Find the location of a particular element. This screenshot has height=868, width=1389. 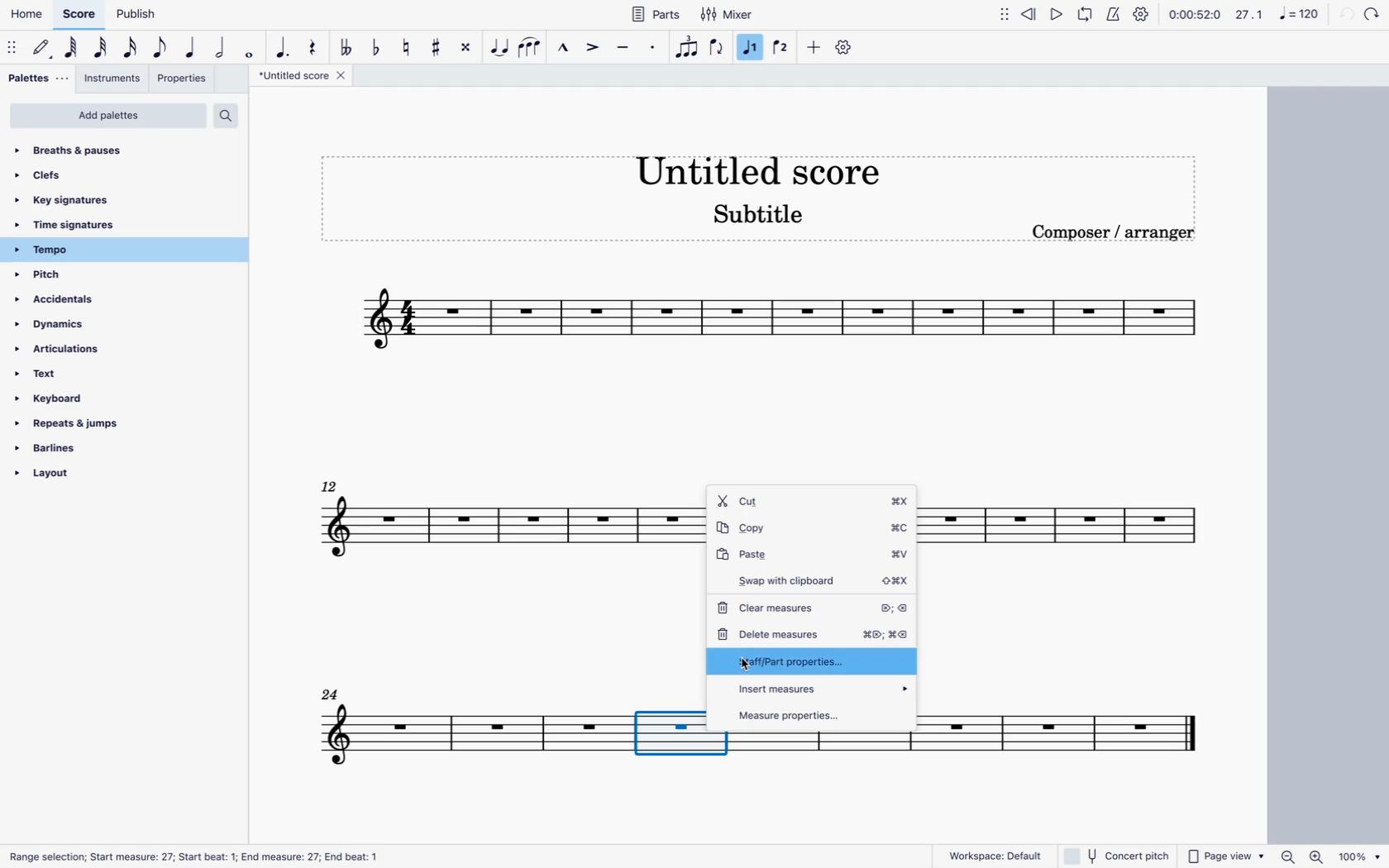

page view is located at coordinates (1225, 855).